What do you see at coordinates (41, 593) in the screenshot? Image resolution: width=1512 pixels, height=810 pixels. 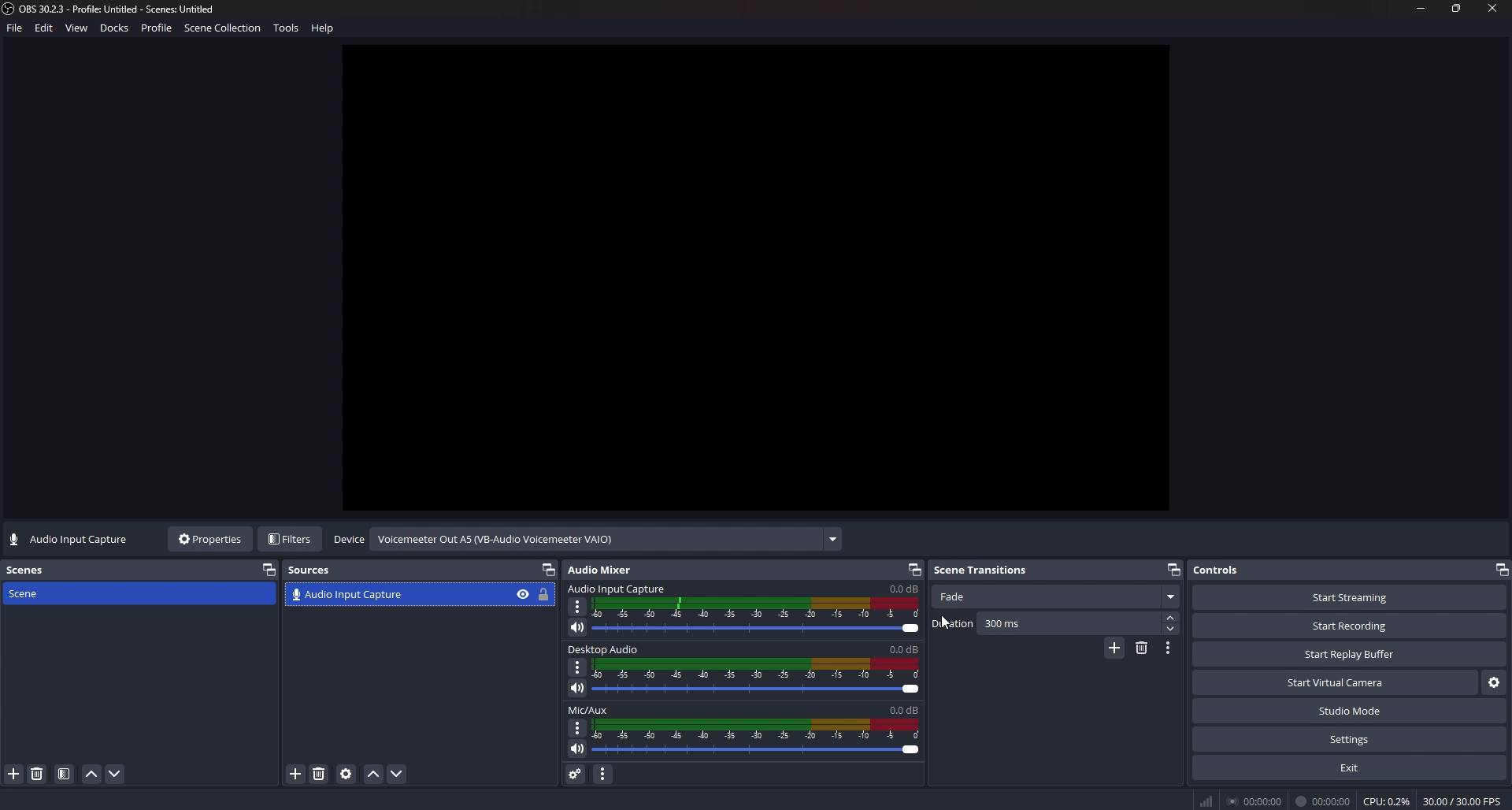 I see `scene` at bounding box center [41, 593].